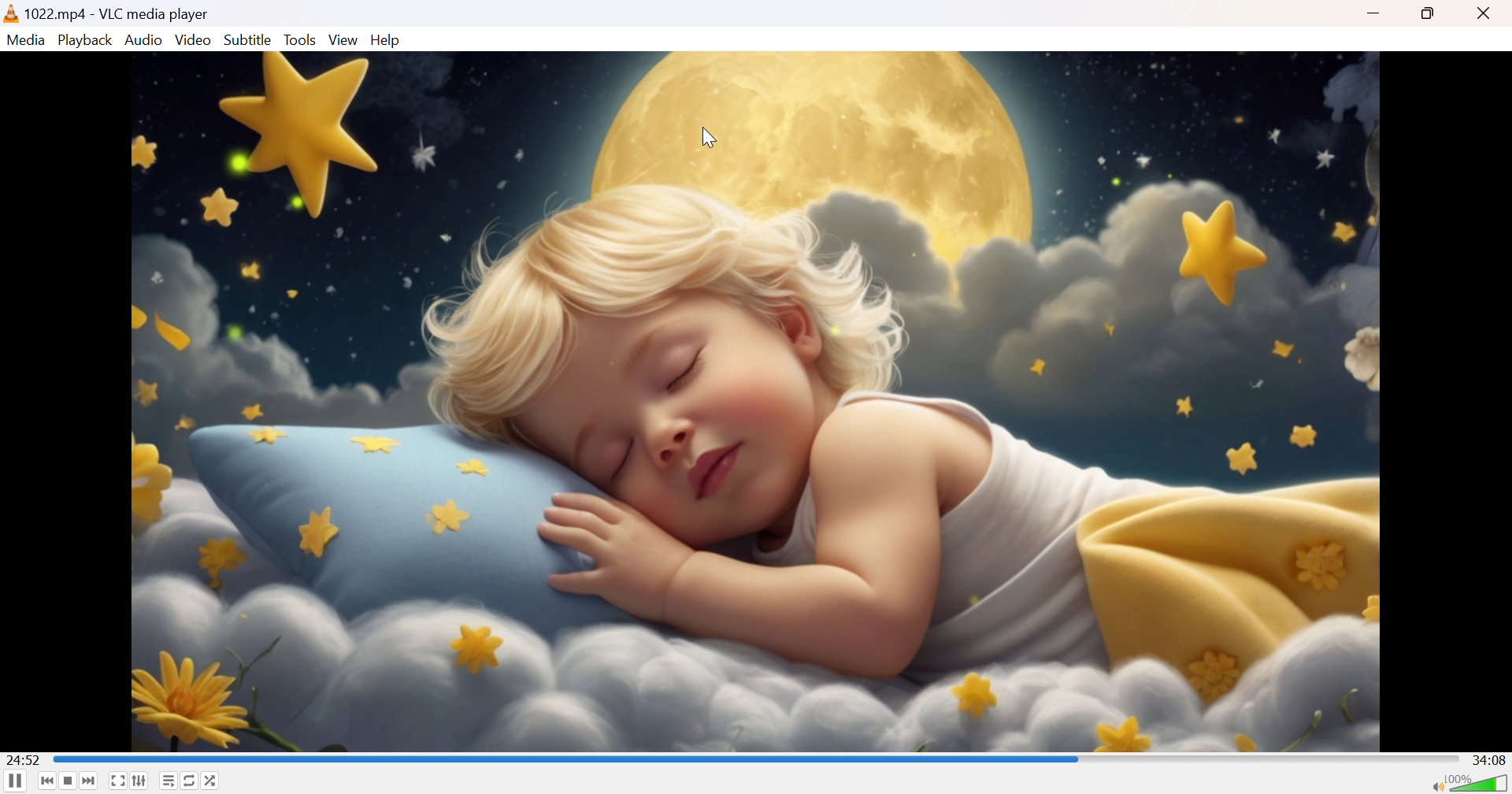 The width and height of the screenshot is (1512, 794). What do you see at coordinates (141, 781) in the screenshot?
I see `Show extended settings` at bounding box center [141, 781].